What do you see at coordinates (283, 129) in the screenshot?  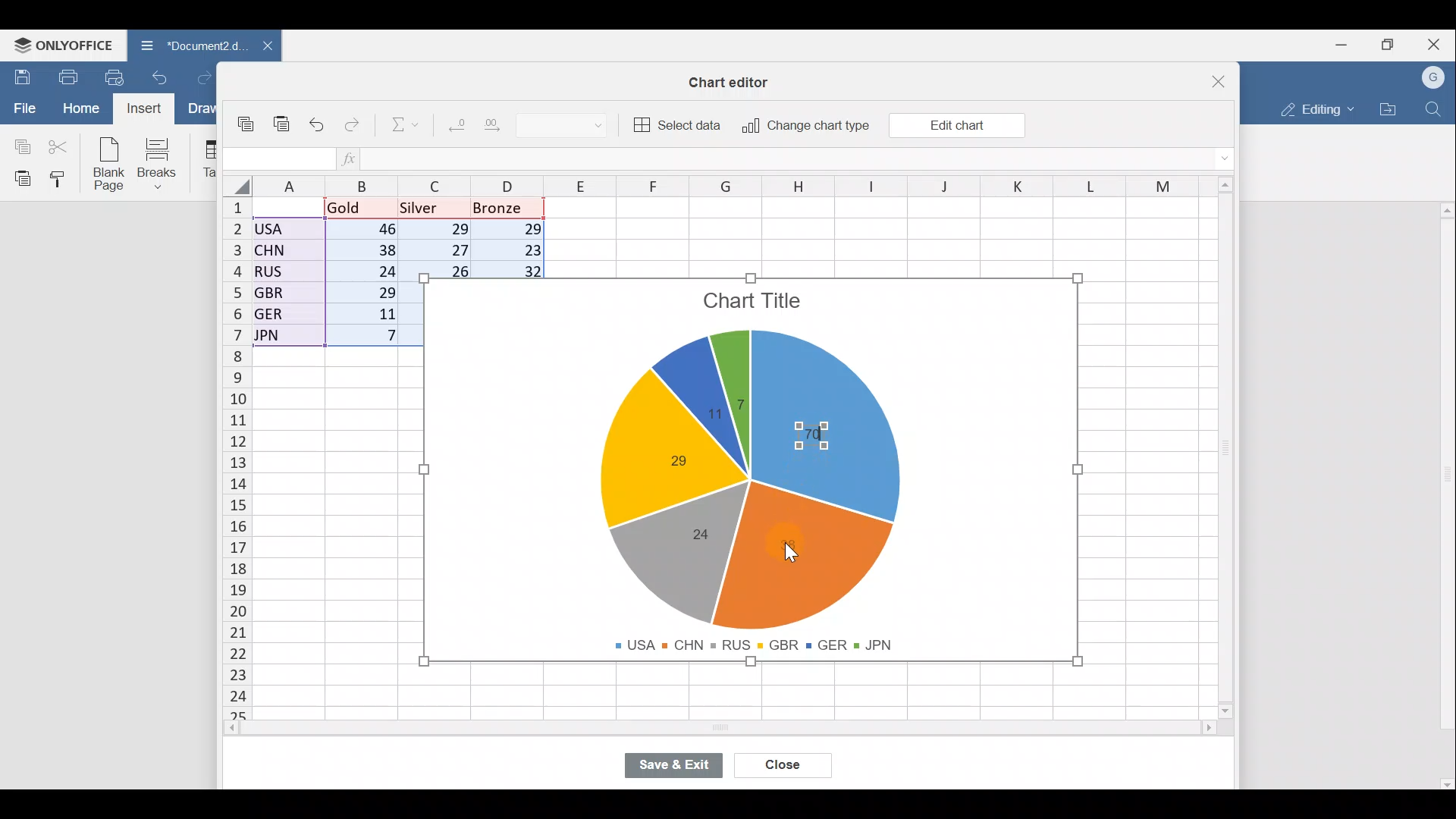 I see `Paste` at bounding box center [283, 129].